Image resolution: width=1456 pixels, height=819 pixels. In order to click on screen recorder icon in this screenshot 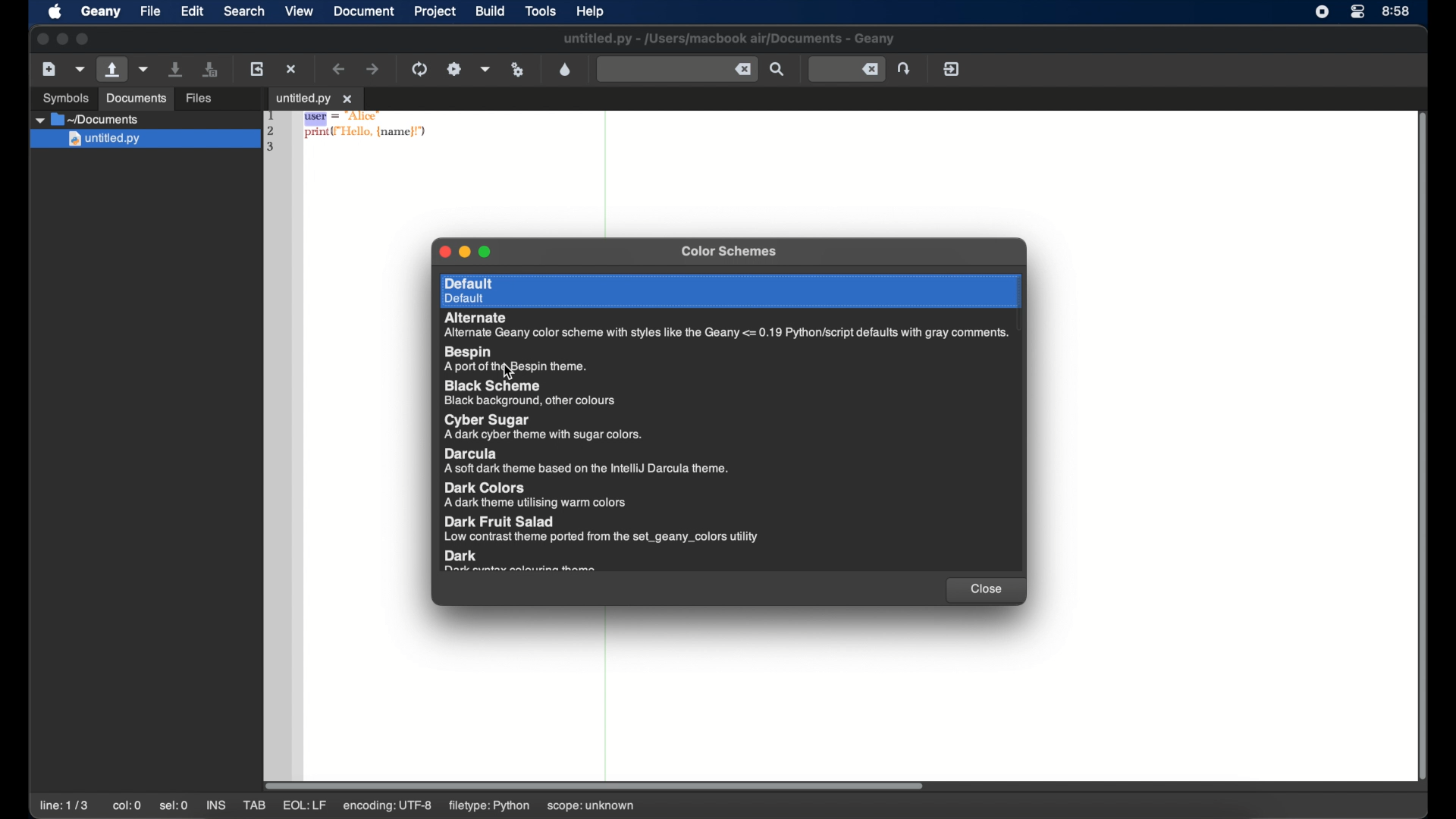, I will do `click(1323, 12)`.